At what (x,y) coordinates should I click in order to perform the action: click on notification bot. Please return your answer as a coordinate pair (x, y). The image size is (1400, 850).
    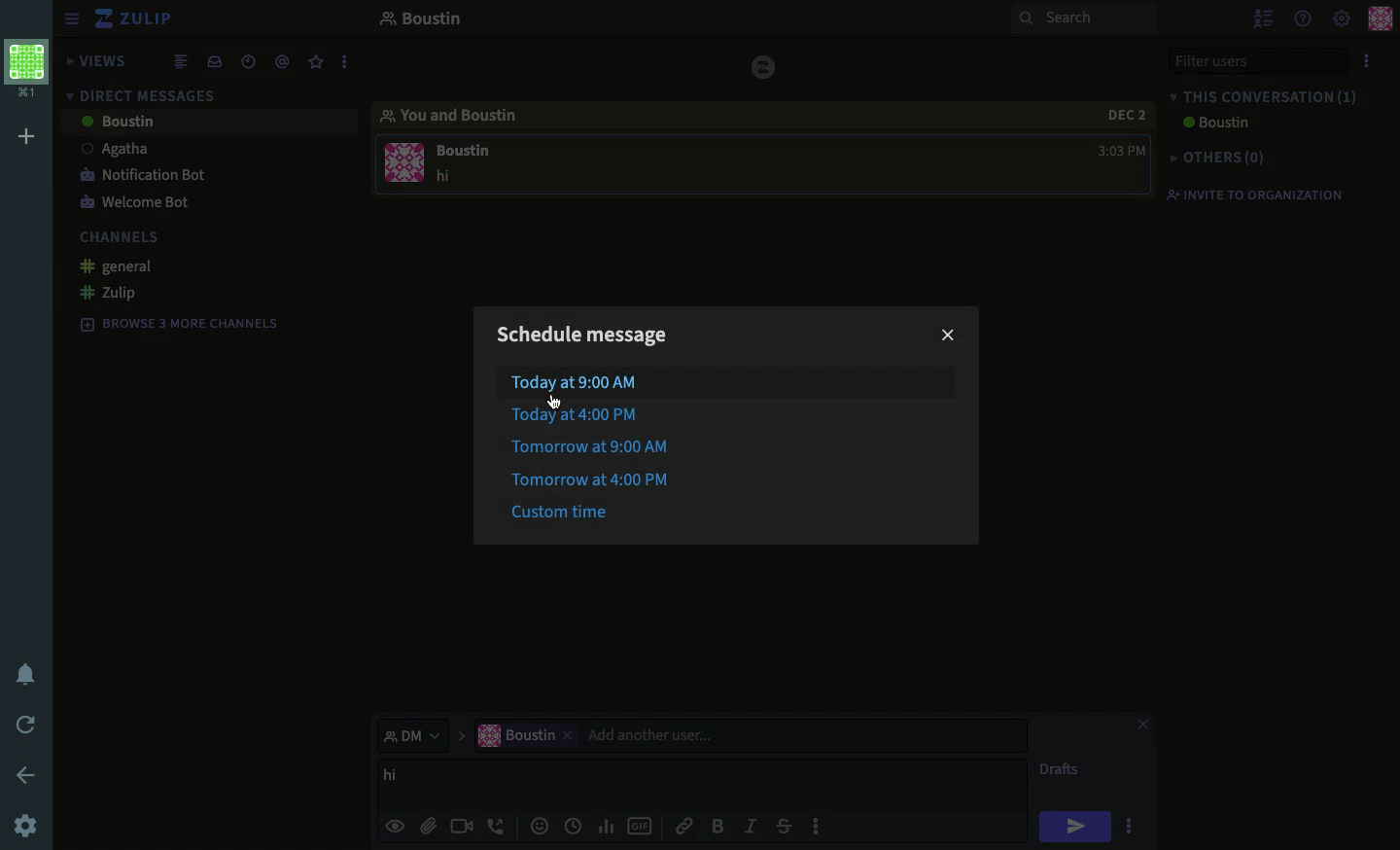
    Looking at the image, I should click on (144, 175).